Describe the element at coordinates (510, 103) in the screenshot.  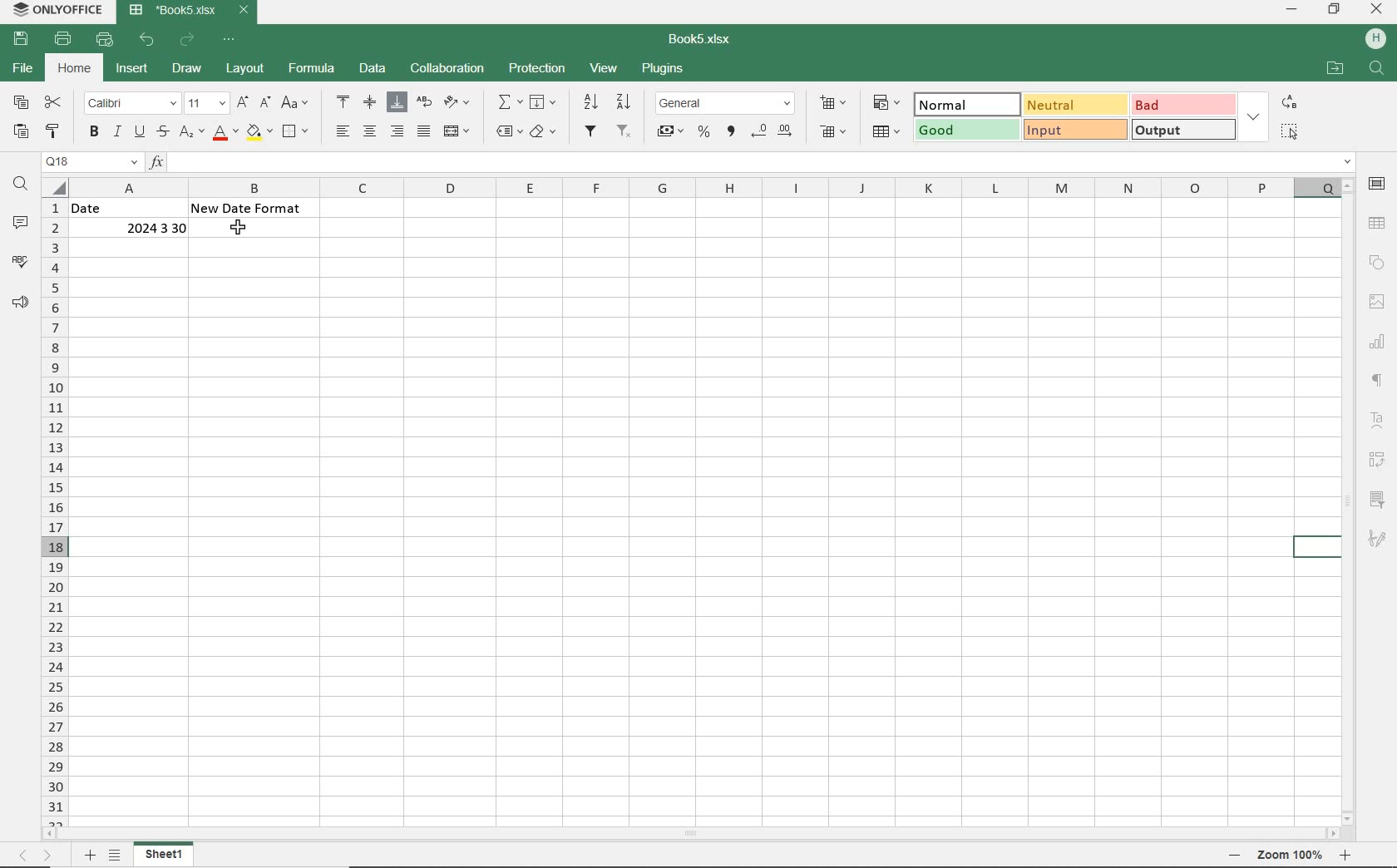
I see `SUMMATION` at that location.